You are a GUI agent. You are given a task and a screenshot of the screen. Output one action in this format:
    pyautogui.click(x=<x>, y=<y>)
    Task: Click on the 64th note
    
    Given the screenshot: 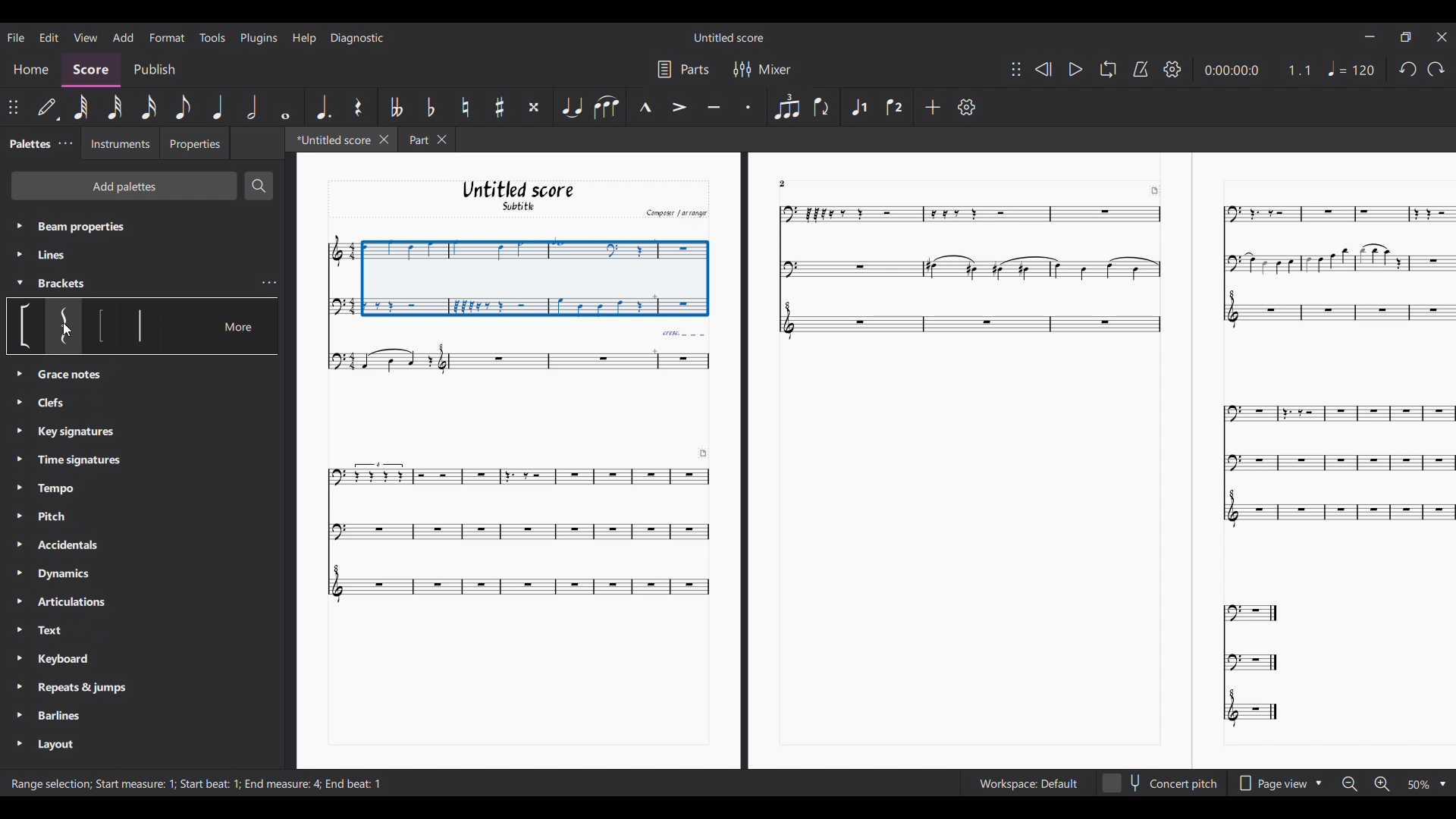 What is the action you would take?
    pyautogui.click(x=83, y=108)
    